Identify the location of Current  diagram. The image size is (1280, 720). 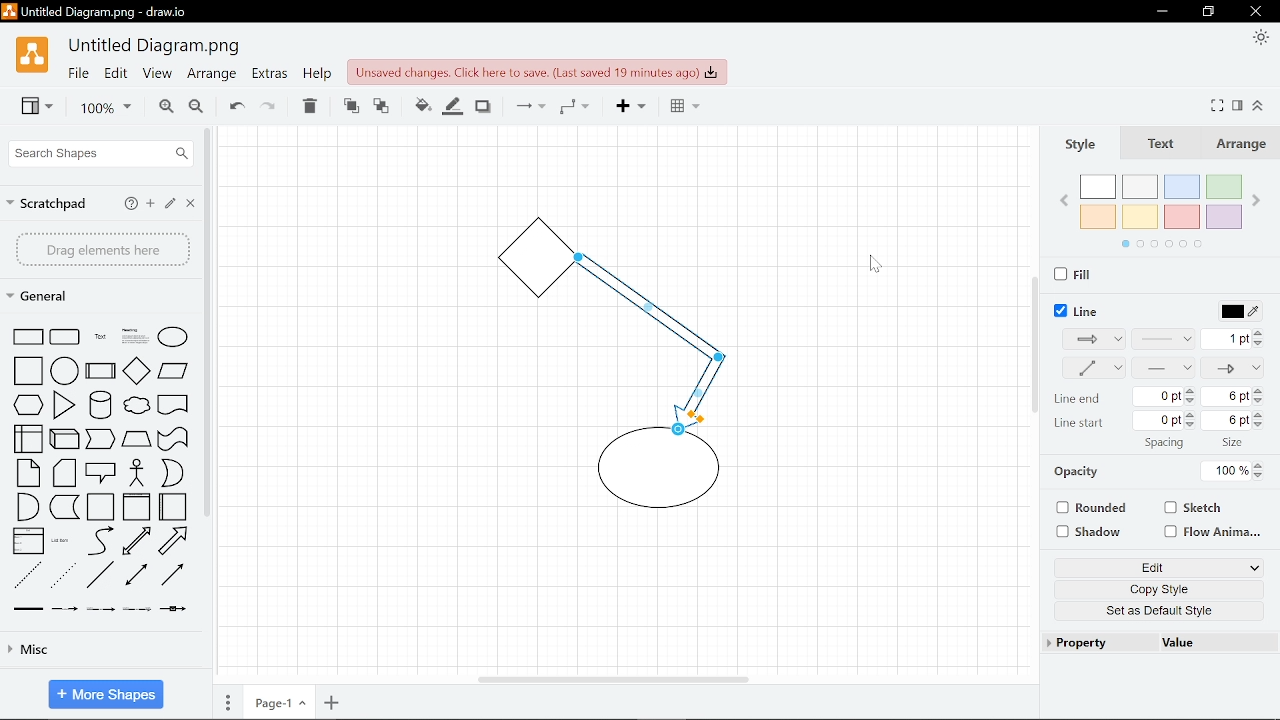
(613, 374).